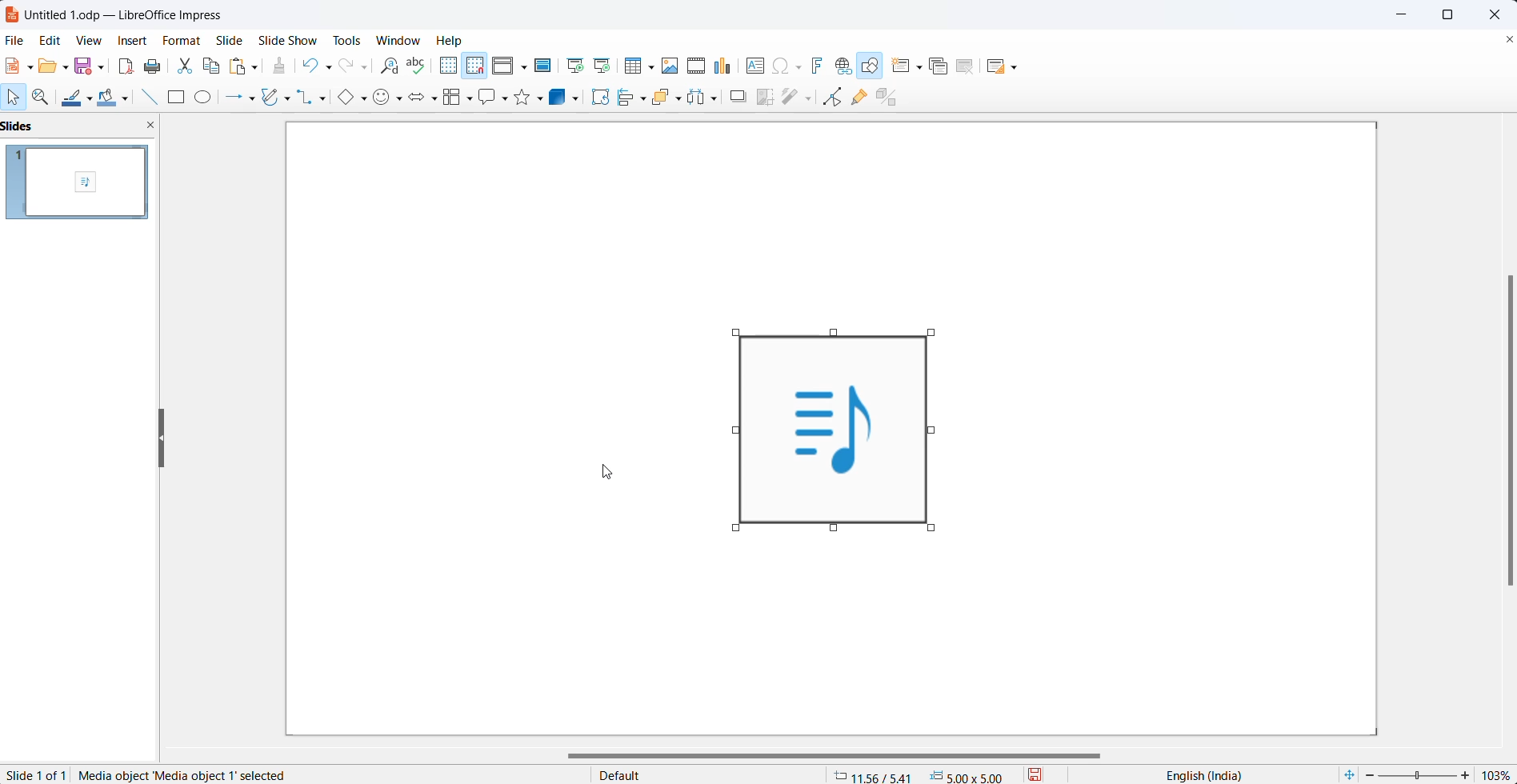 Image resolution: width=1517 pixels, height=784 pixels. I want to click on copy, so click(211, 66).